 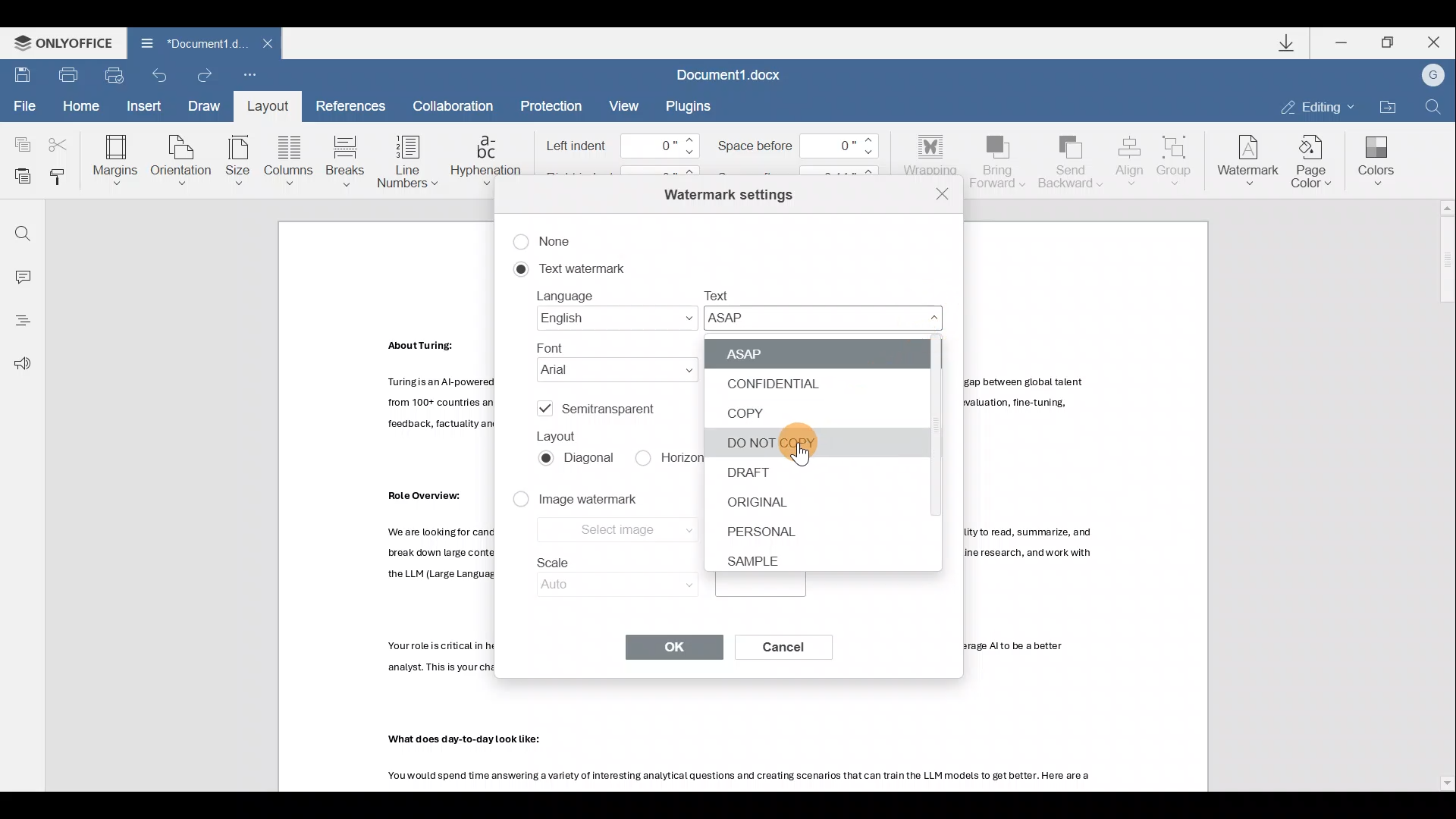 What do you see at coordinates (21, 321) in the screenshot?
I see `Heading` at bounding box center [21, 321].